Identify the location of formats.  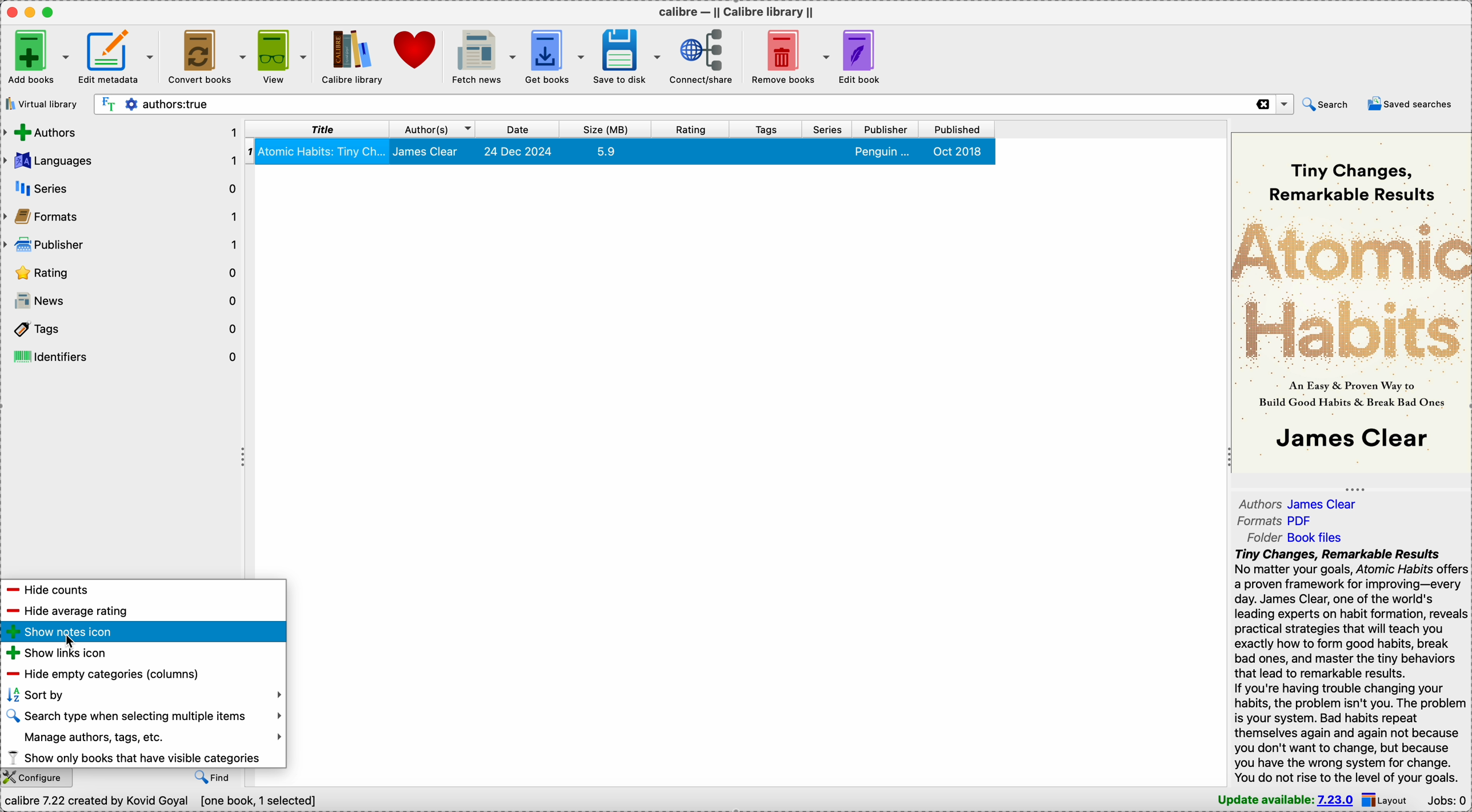
(122, 217).